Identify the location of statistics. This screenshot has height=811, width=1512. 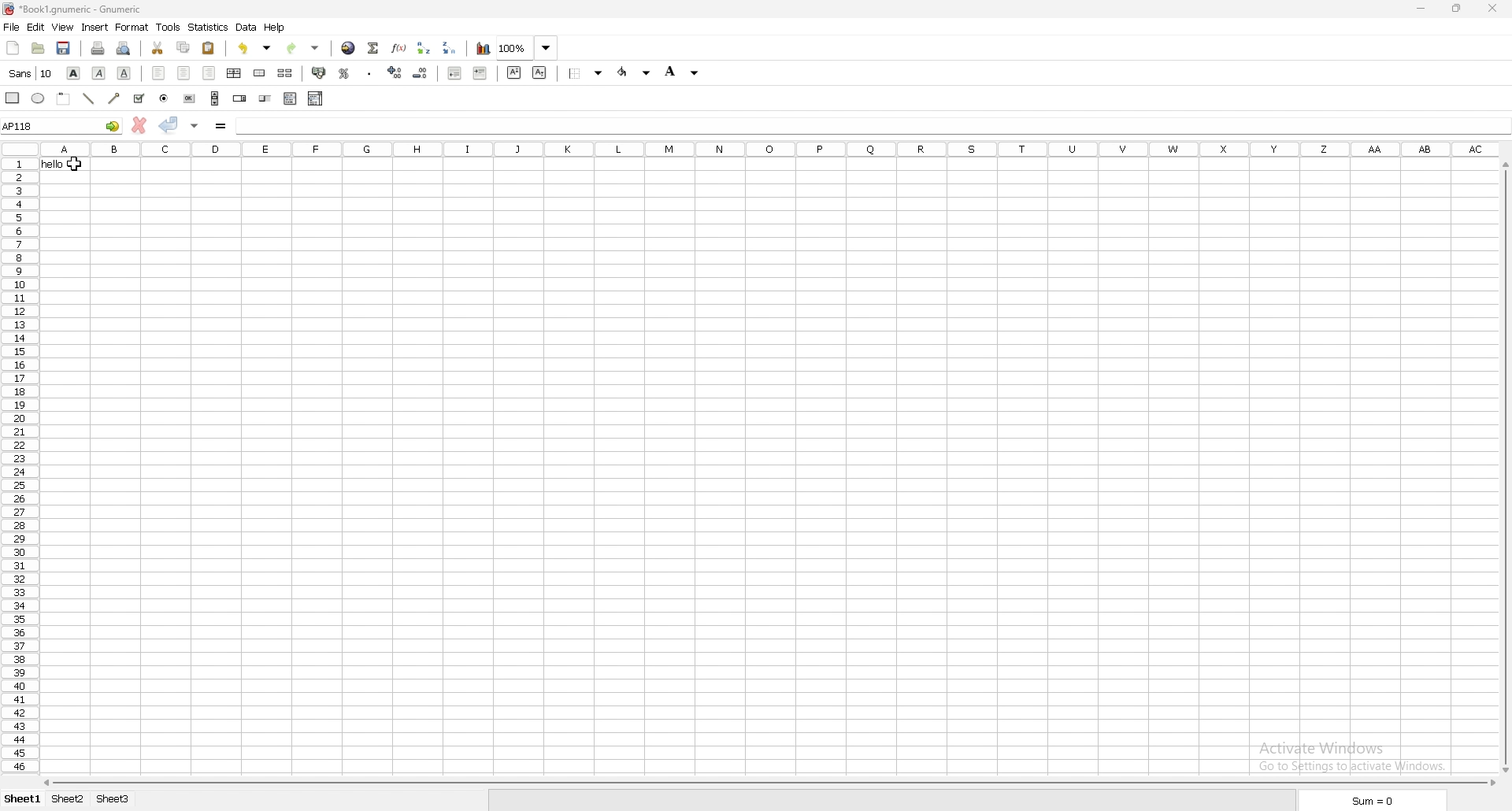
(208, 27).